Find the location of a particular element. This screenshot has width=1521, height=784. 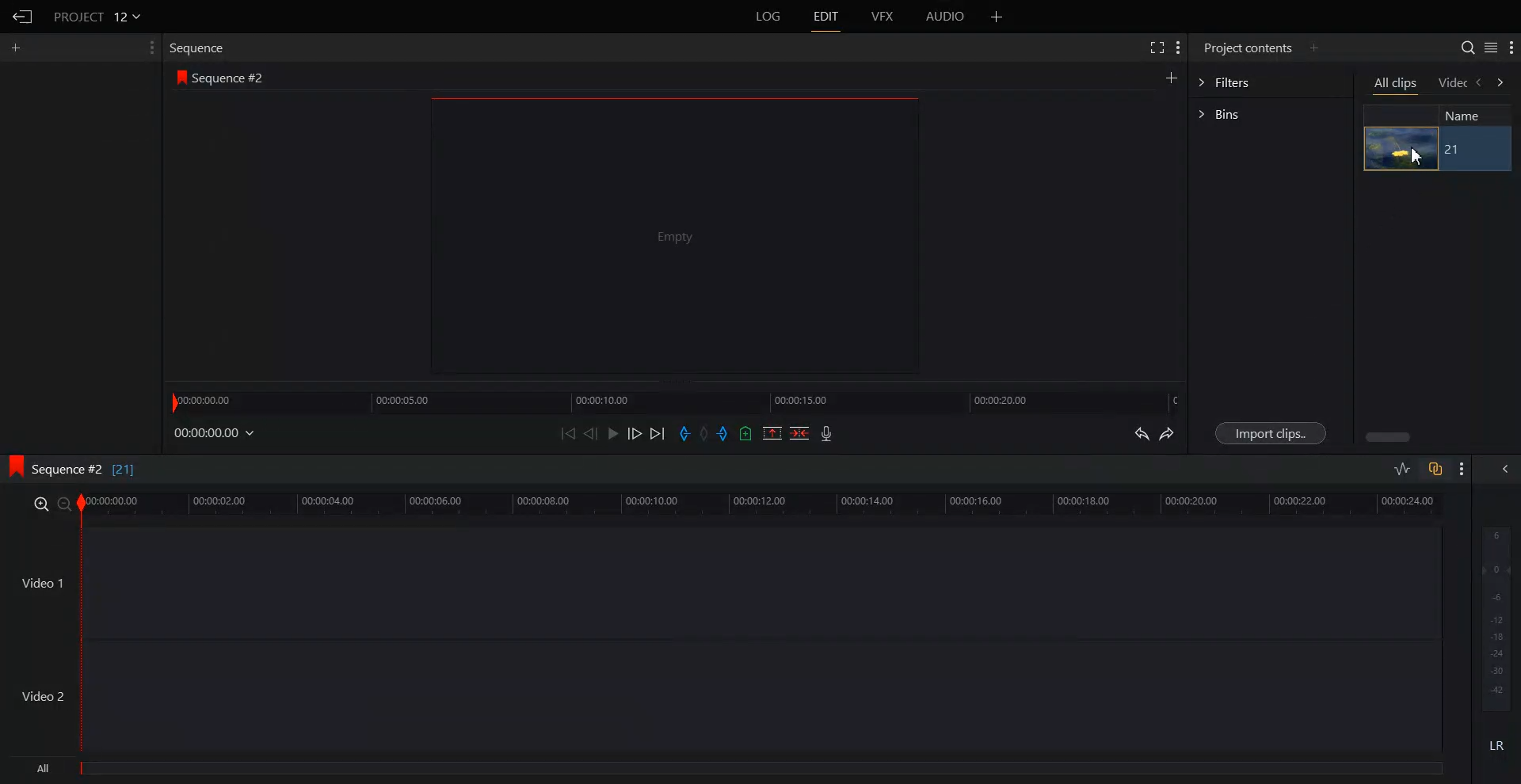

Remove the marked section is located at coordinates (772, 433).